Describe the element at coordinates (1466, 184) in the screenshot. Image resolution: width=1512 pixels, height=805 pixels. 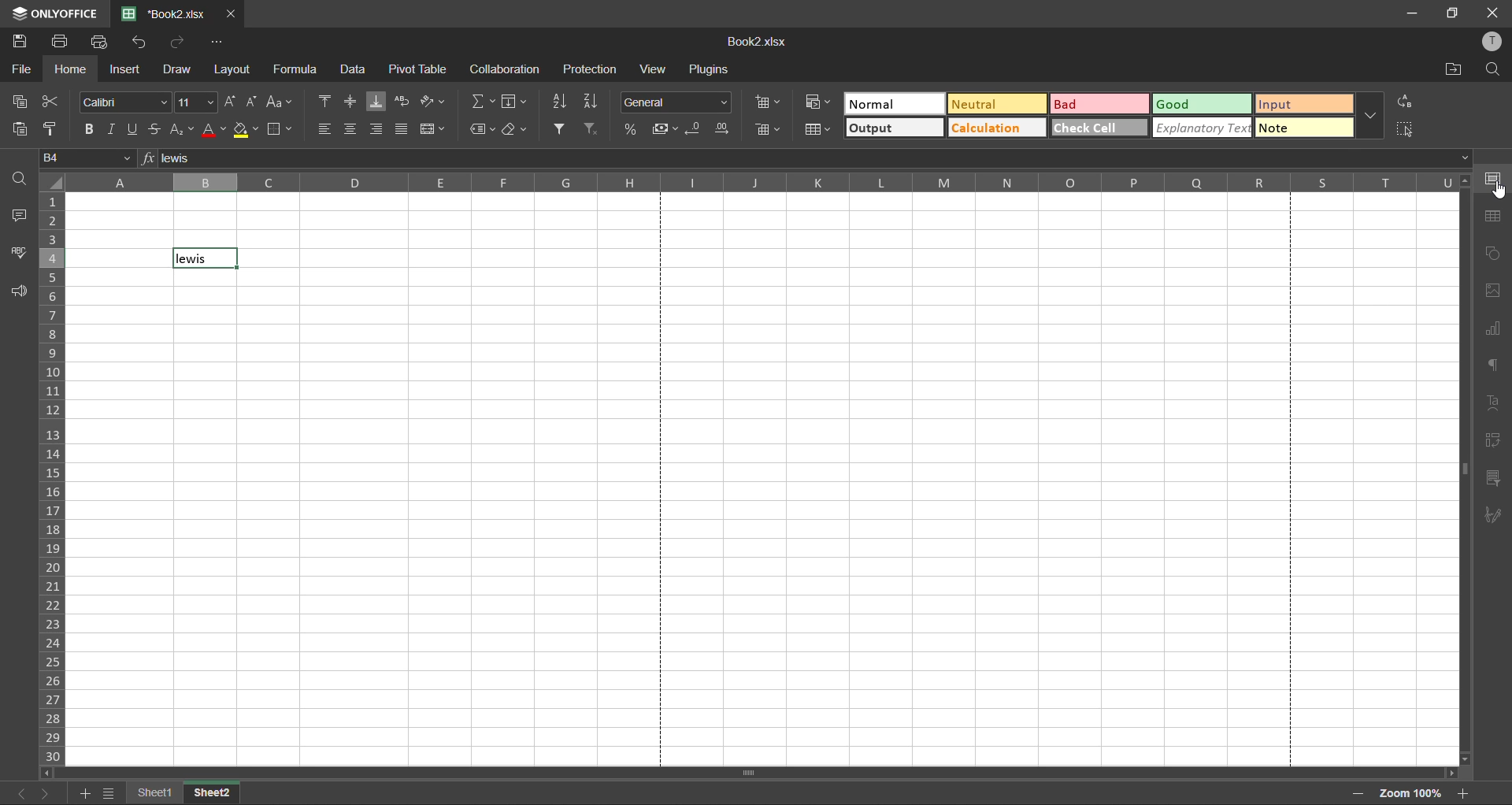
I see `move up` at that location.